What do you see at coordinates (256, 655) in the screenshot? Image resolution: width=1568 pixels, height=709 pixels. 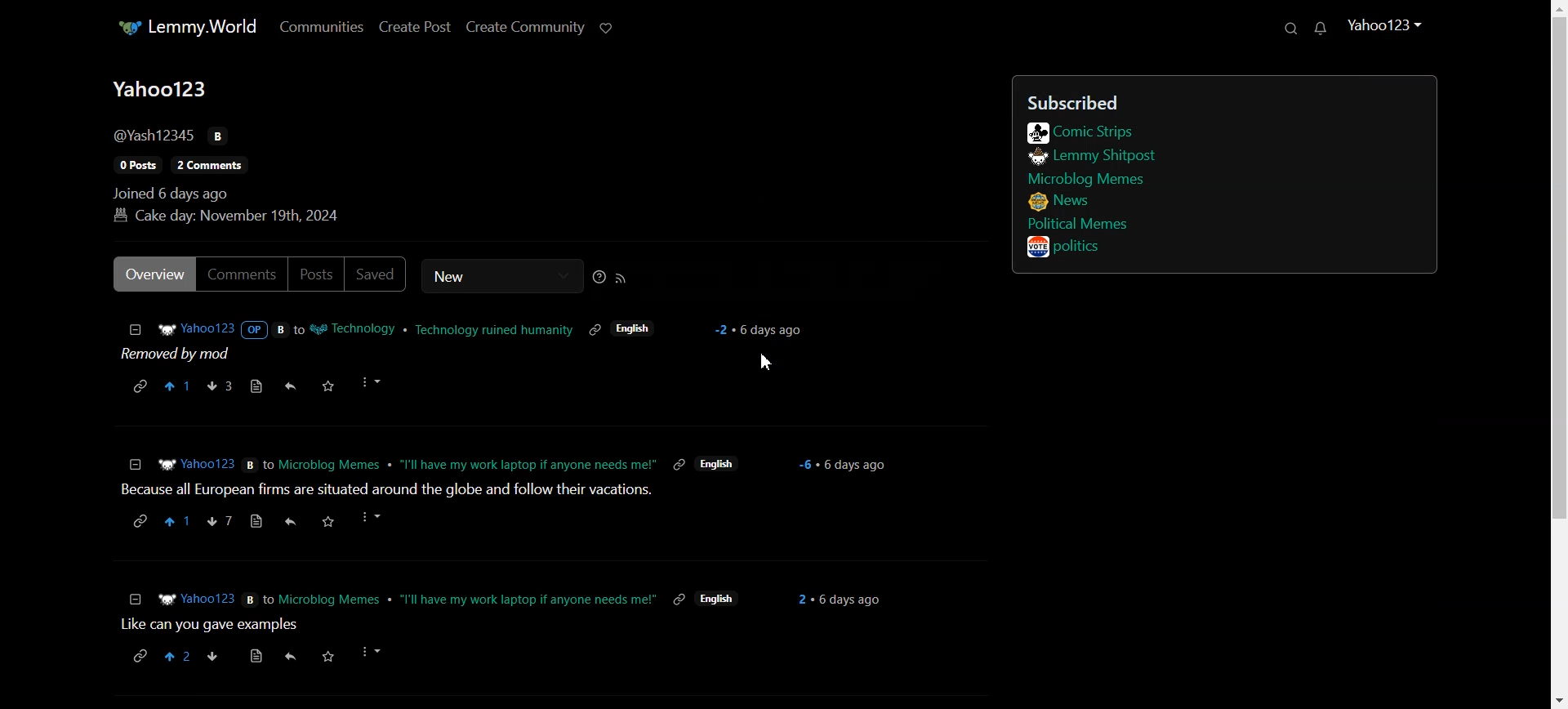 I see `view source` at bounding box center [256, 655].